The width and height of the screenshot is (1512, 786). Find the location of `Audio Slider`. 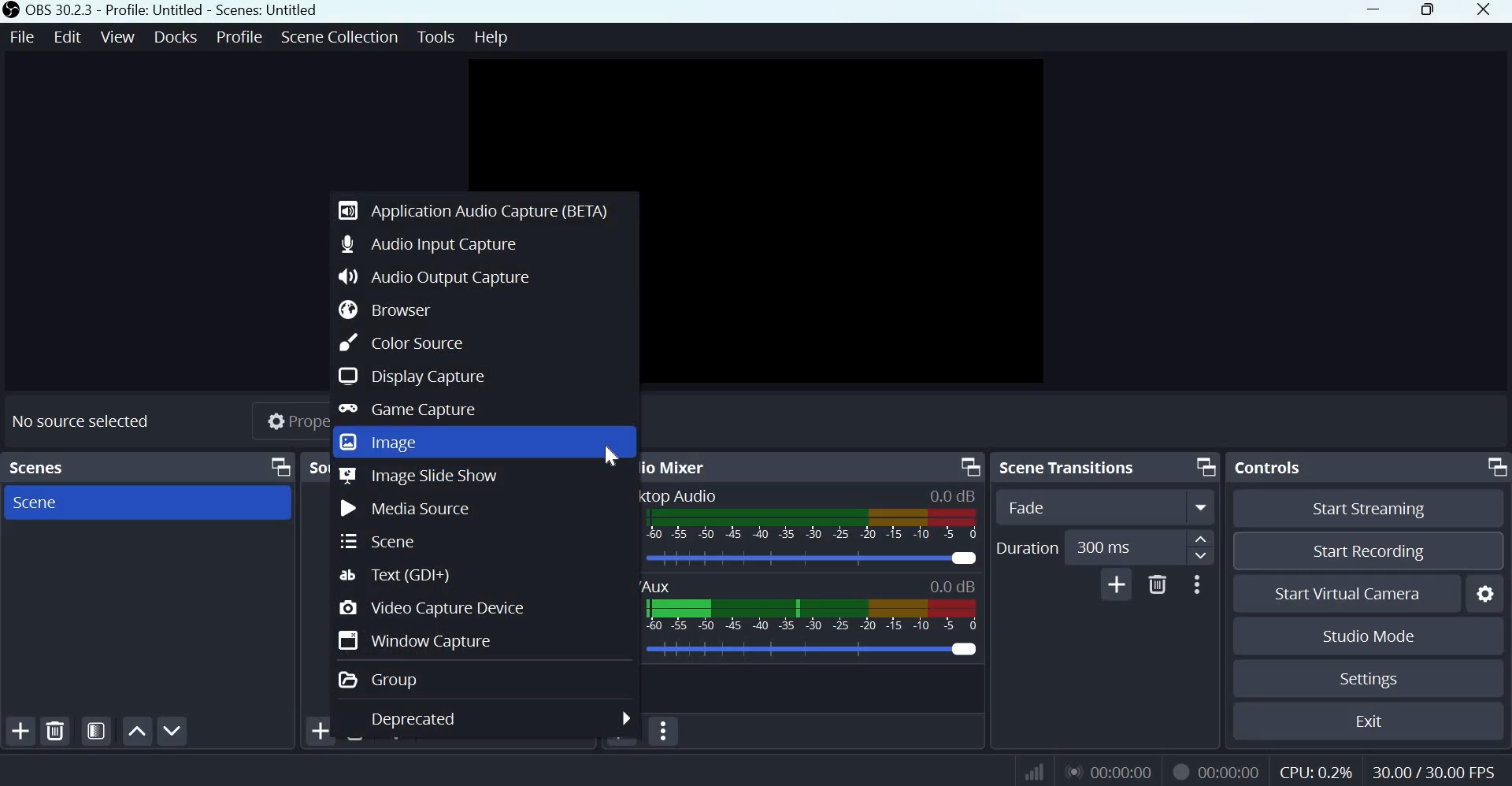

Audio Slider is located at coordinates (814, 651).